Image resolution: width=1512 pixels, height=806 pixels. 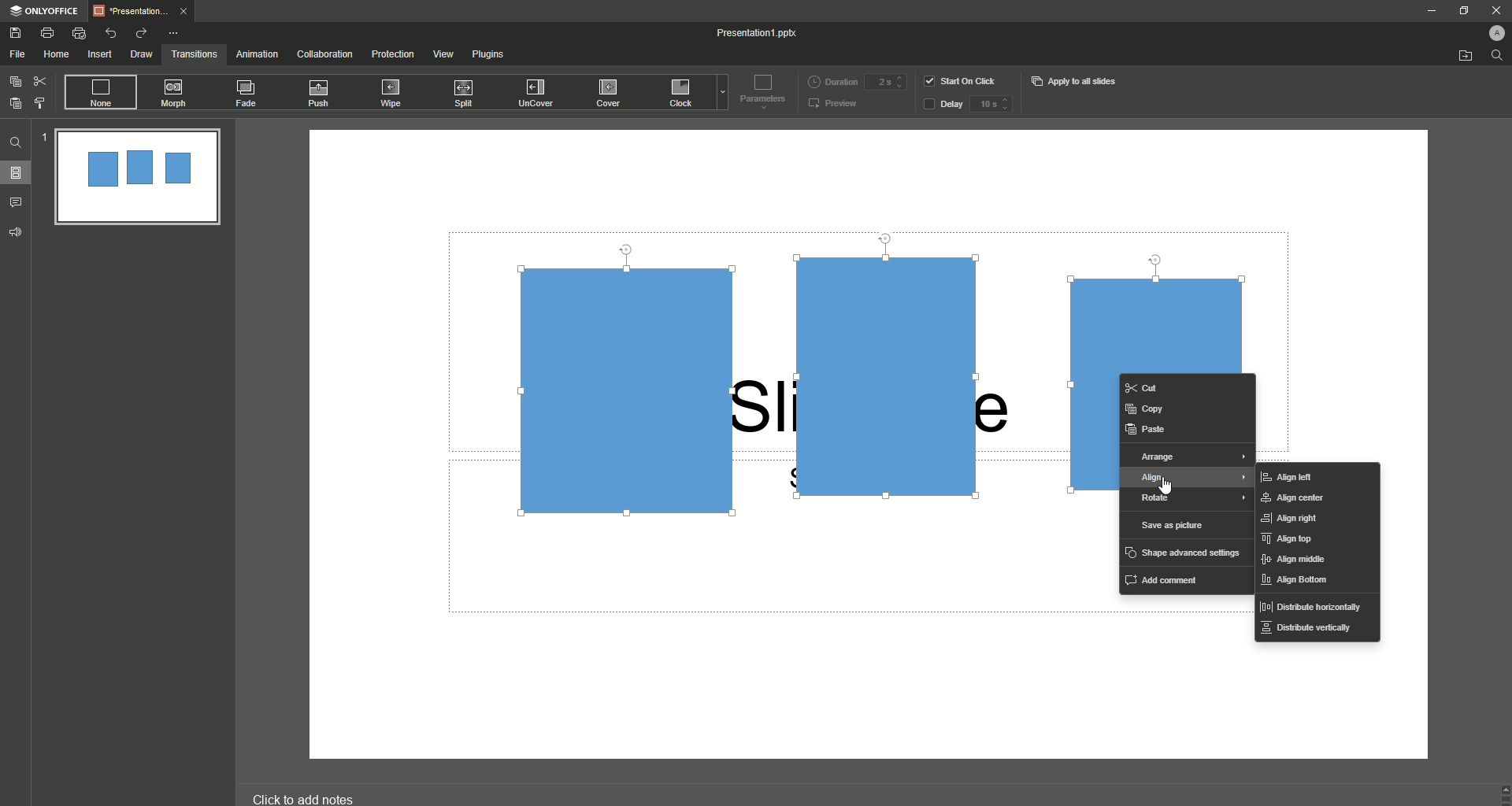 I want to click on Add comment, so click(x=1166, y=579).